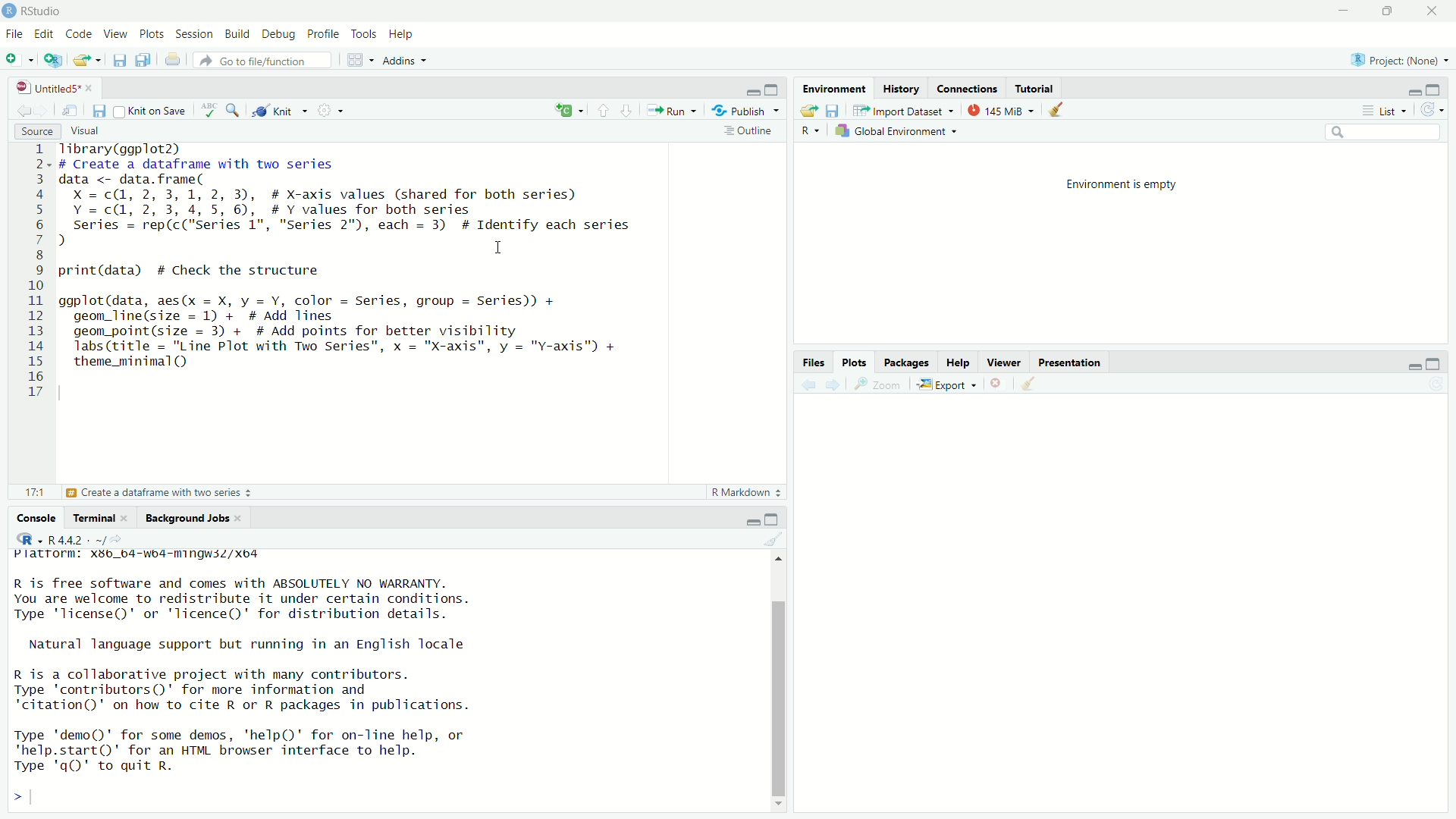  Describe the element at coordinates (809, 384) in the screenshot. I see `Go back to the previous source selection` at that location.